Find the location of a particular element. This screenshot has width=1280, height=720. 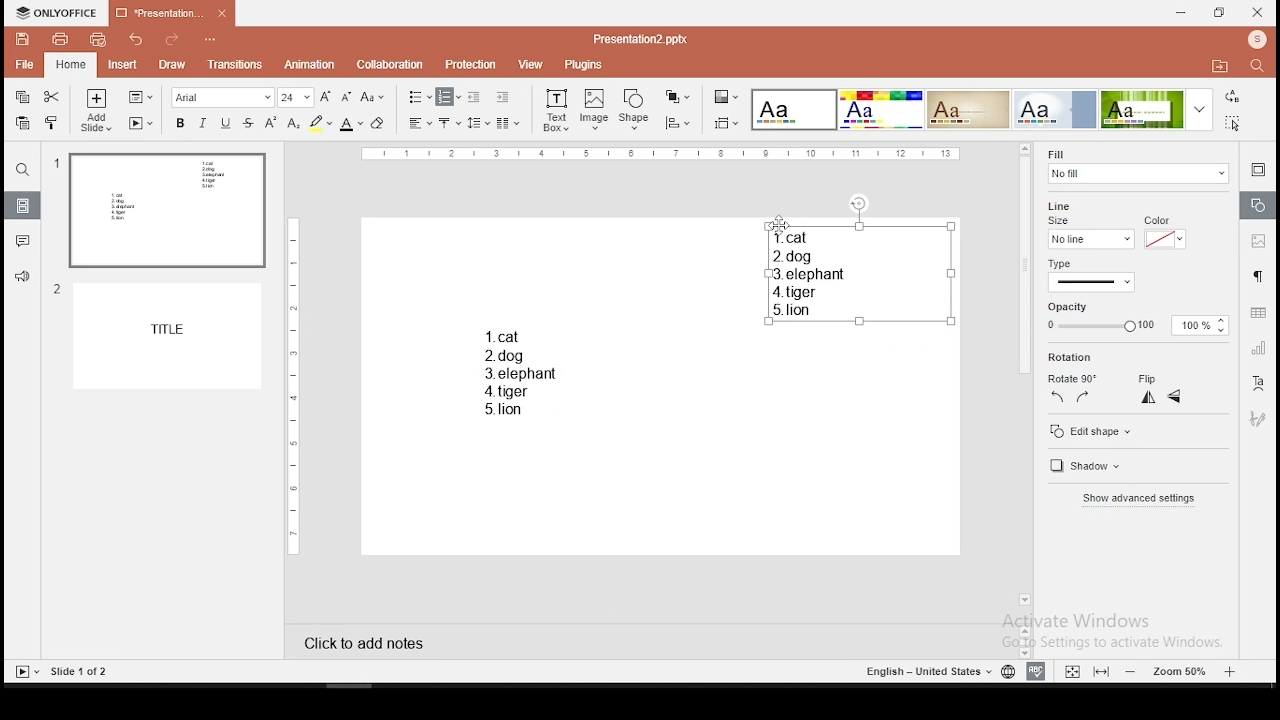

copy is located at coordinates (23, 97).